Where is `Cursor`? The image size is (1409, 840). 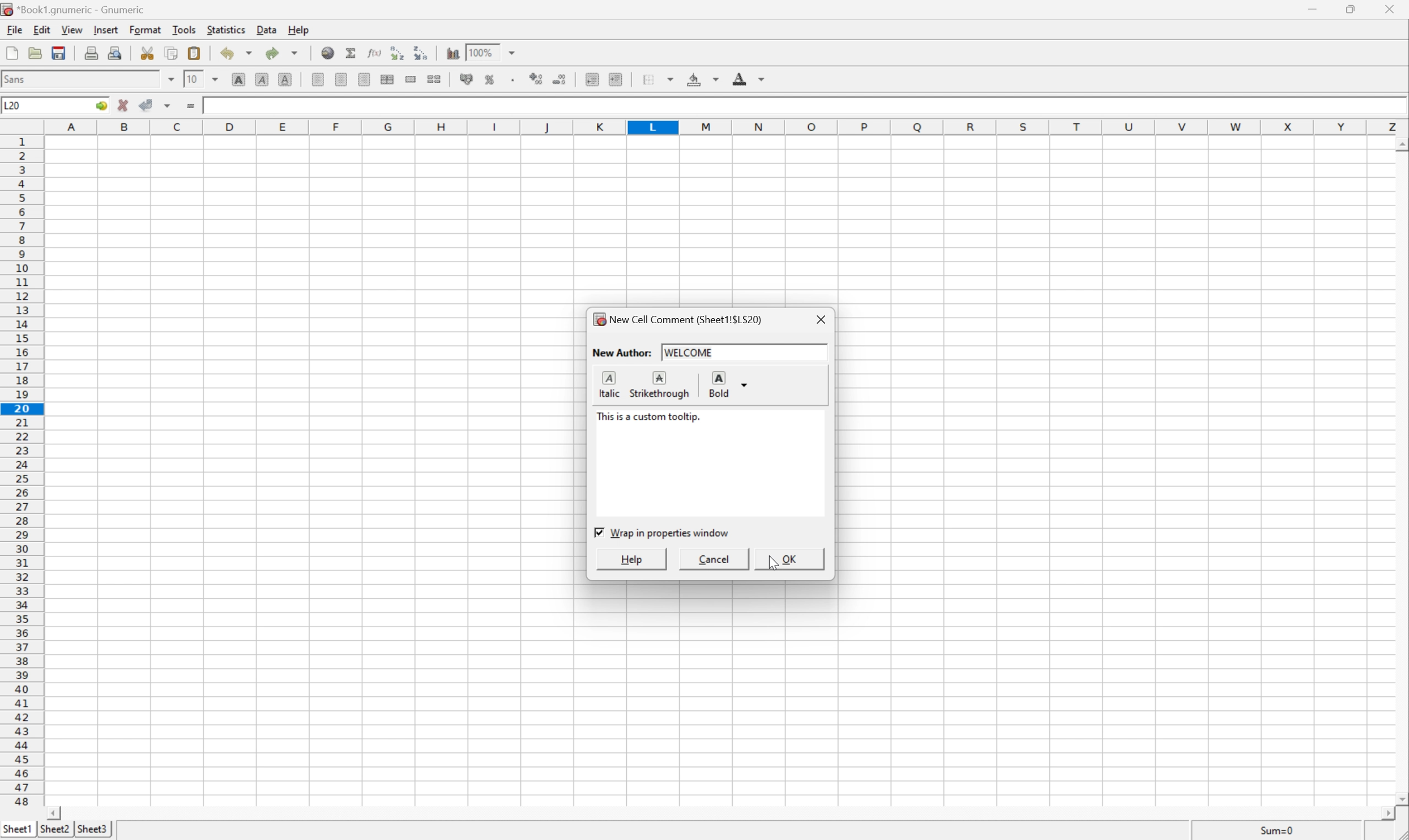
Cursor is located at coordinates (771, 561).